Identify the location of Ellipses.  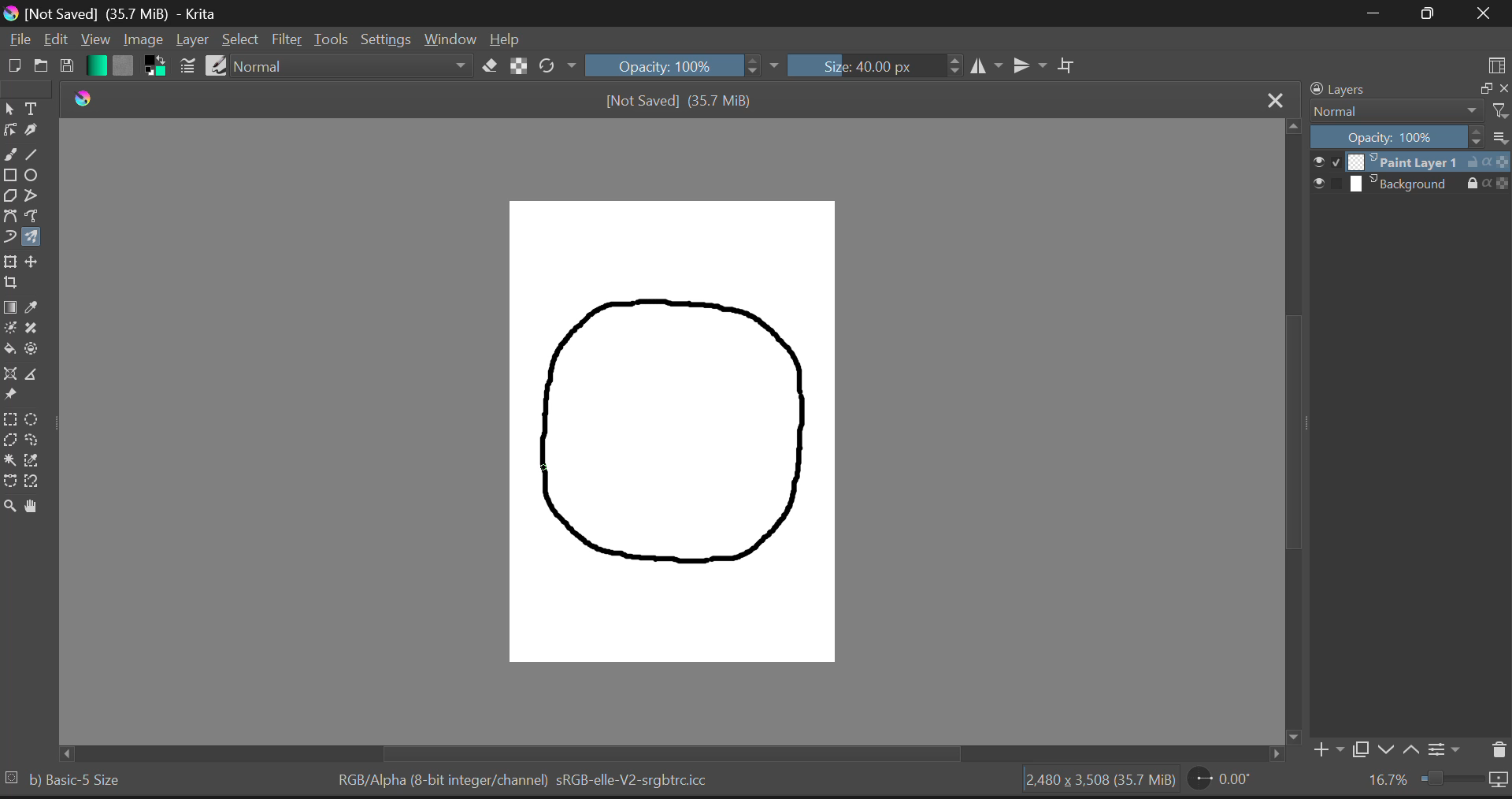
(34, 175).